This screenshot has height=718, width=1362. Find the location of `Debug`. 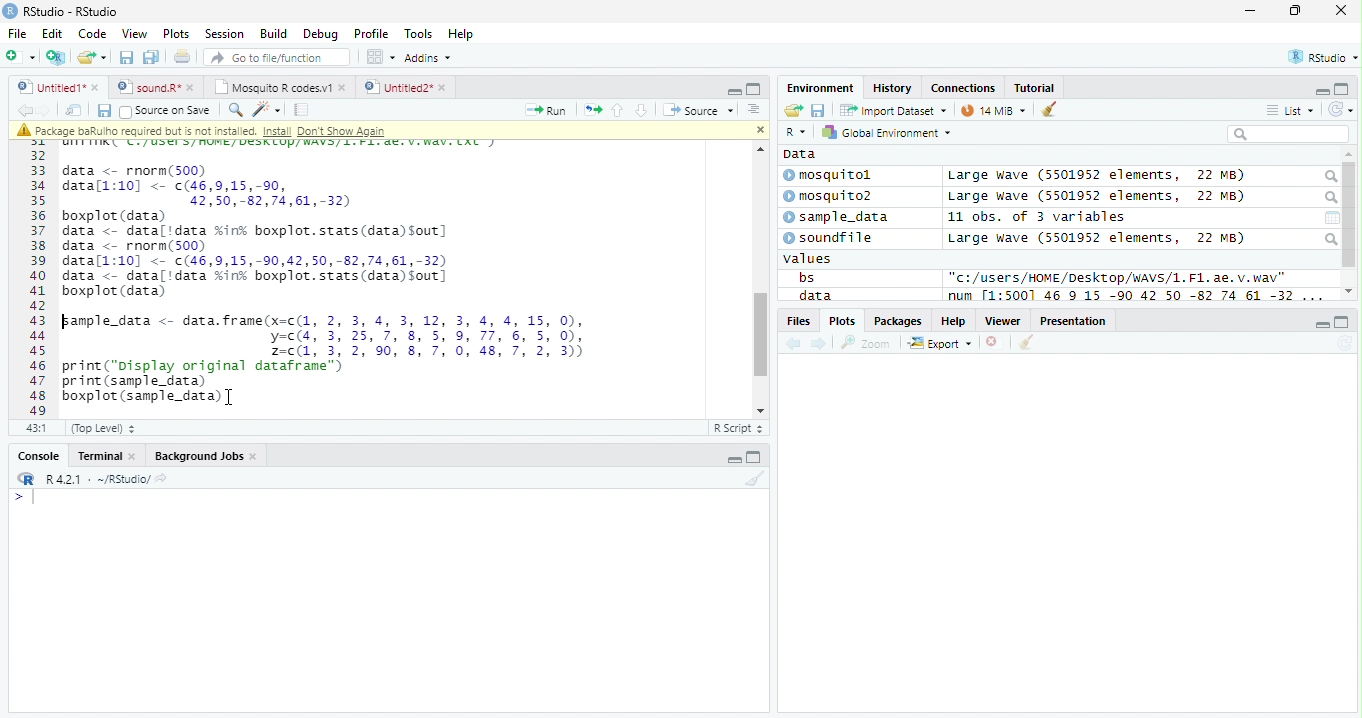

Debug is located at coordinates (319, 34).